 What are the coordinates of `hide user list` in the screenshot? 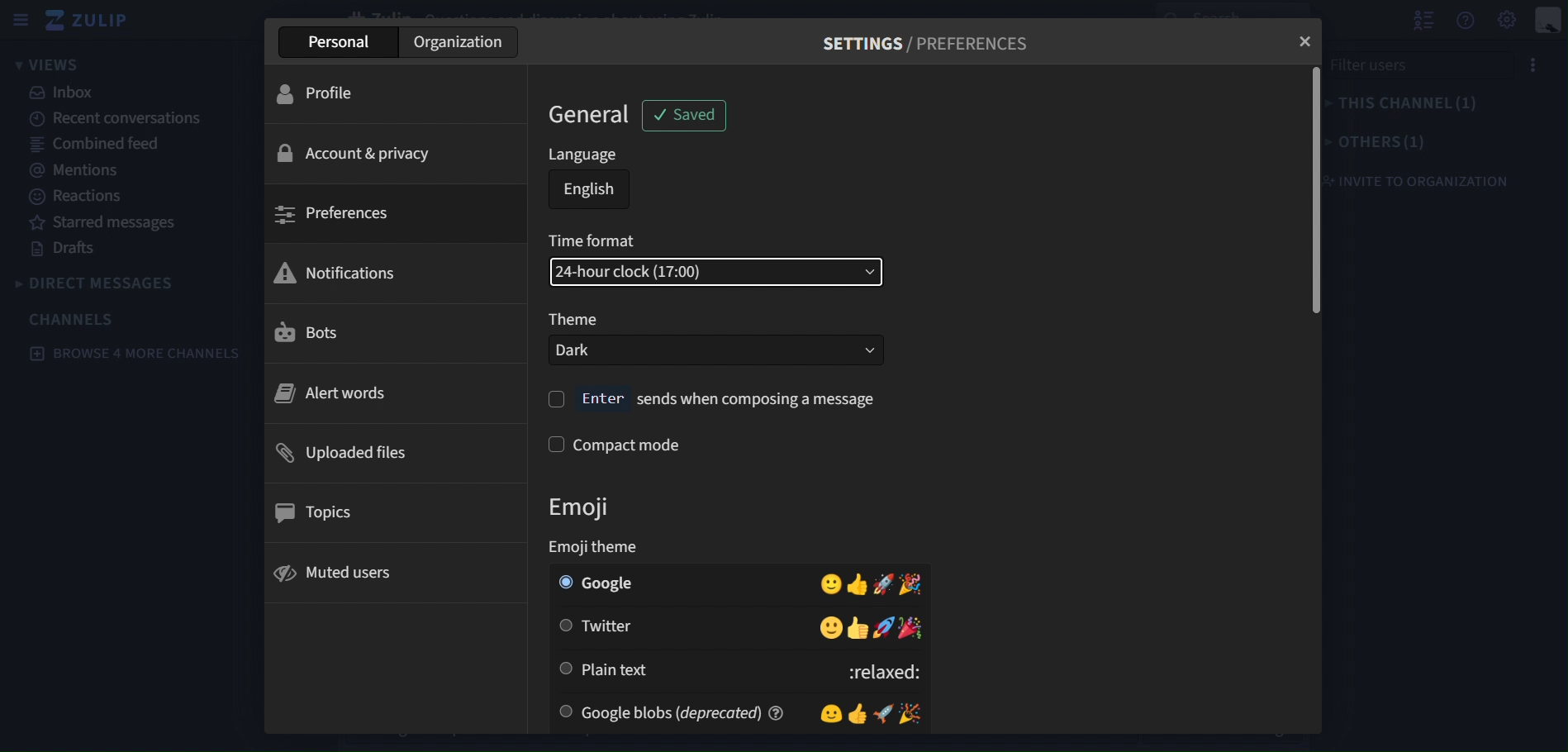 It's located at (1421, 17).